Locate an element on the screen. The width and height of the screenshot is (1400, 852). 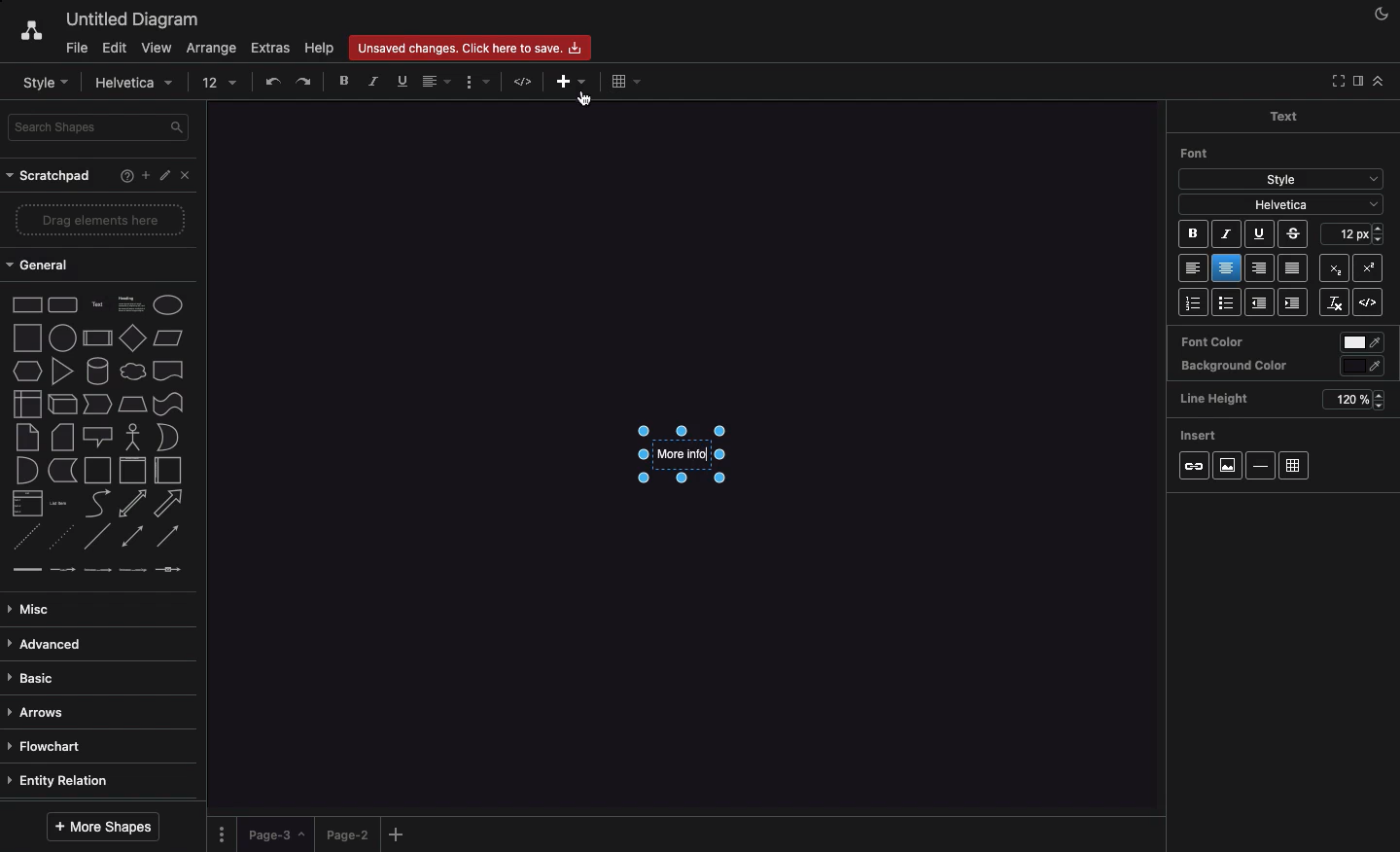
actor is located at coordinates (131, 438).